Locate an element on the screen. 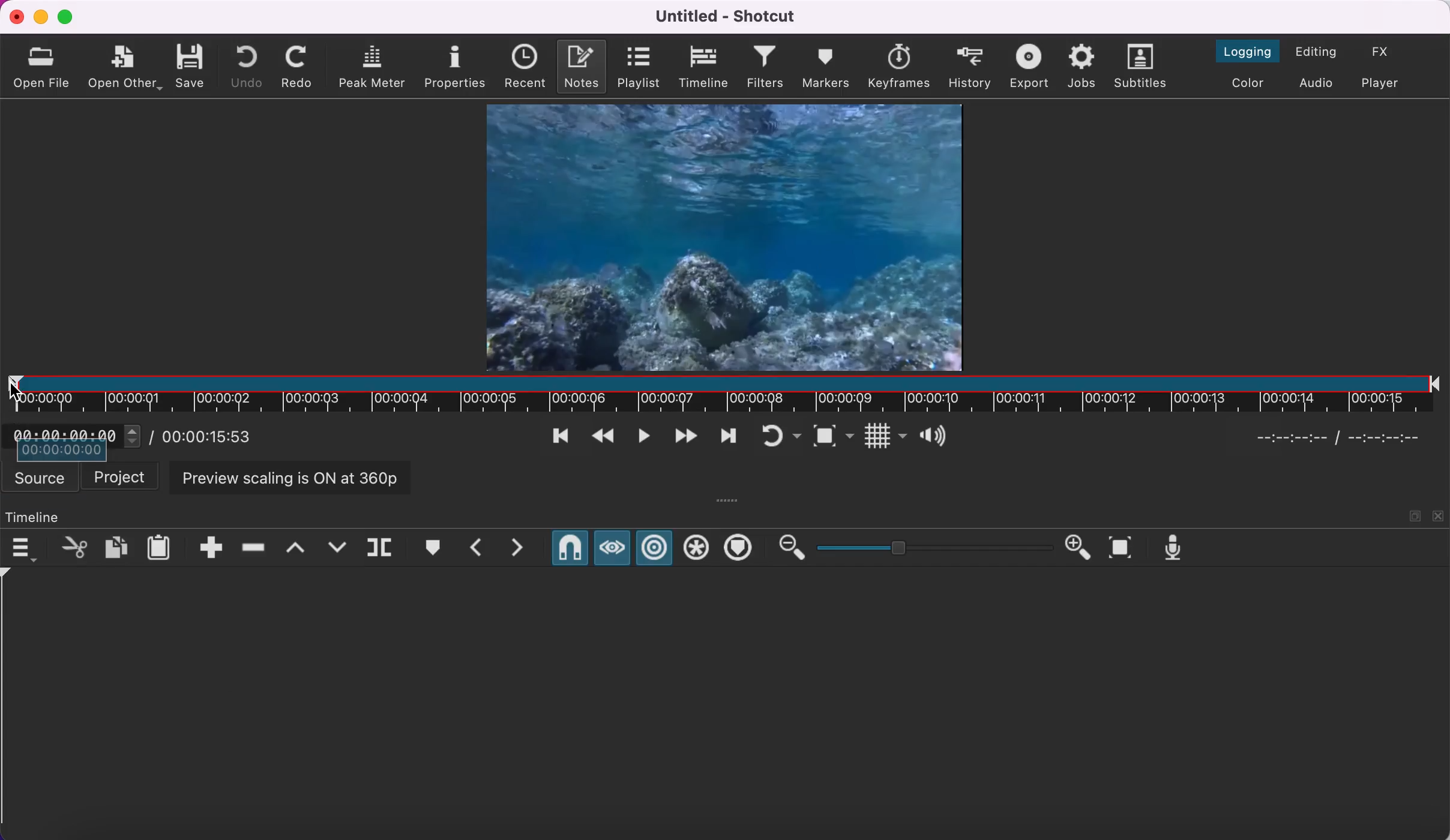 This screenshot has height=840, width=1450. toggle play or pause is located at coordinates (640, 439).